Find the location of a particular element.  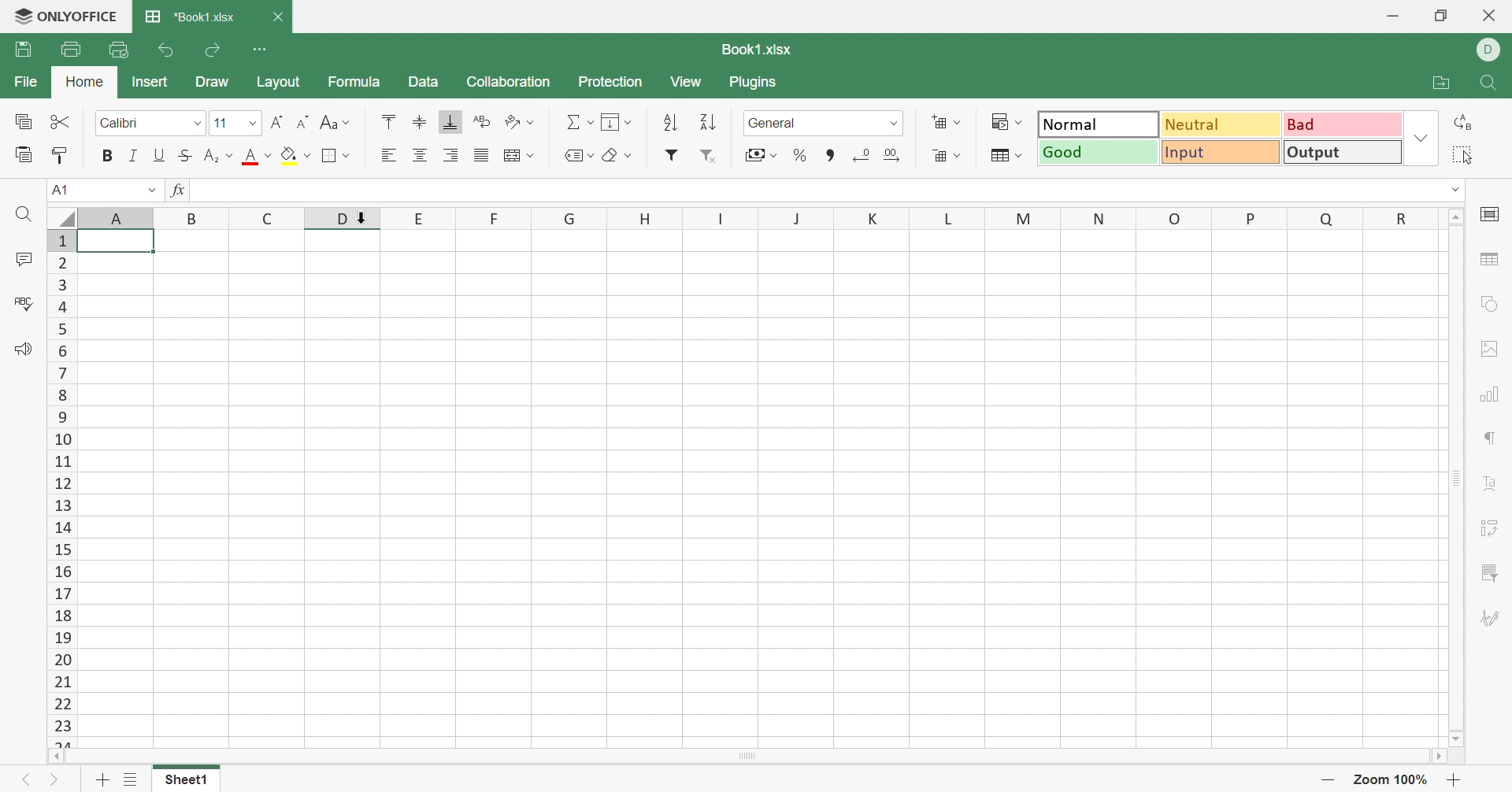

Drop Down is located at coordinates (593, 155).